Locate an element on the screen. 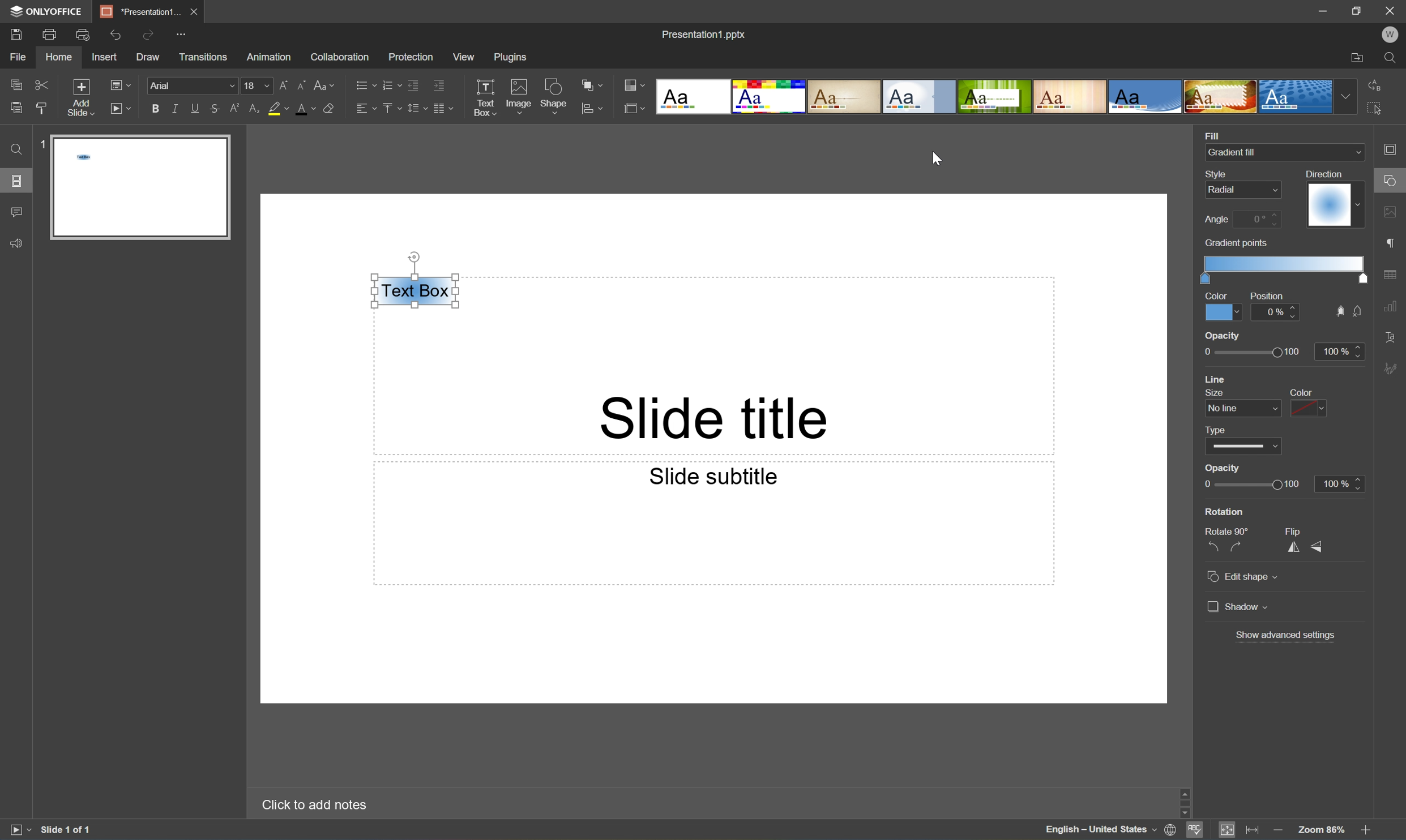 The height and width of the screenshot is (840, 1406). spell checking is located at coordinates (1199, 830).